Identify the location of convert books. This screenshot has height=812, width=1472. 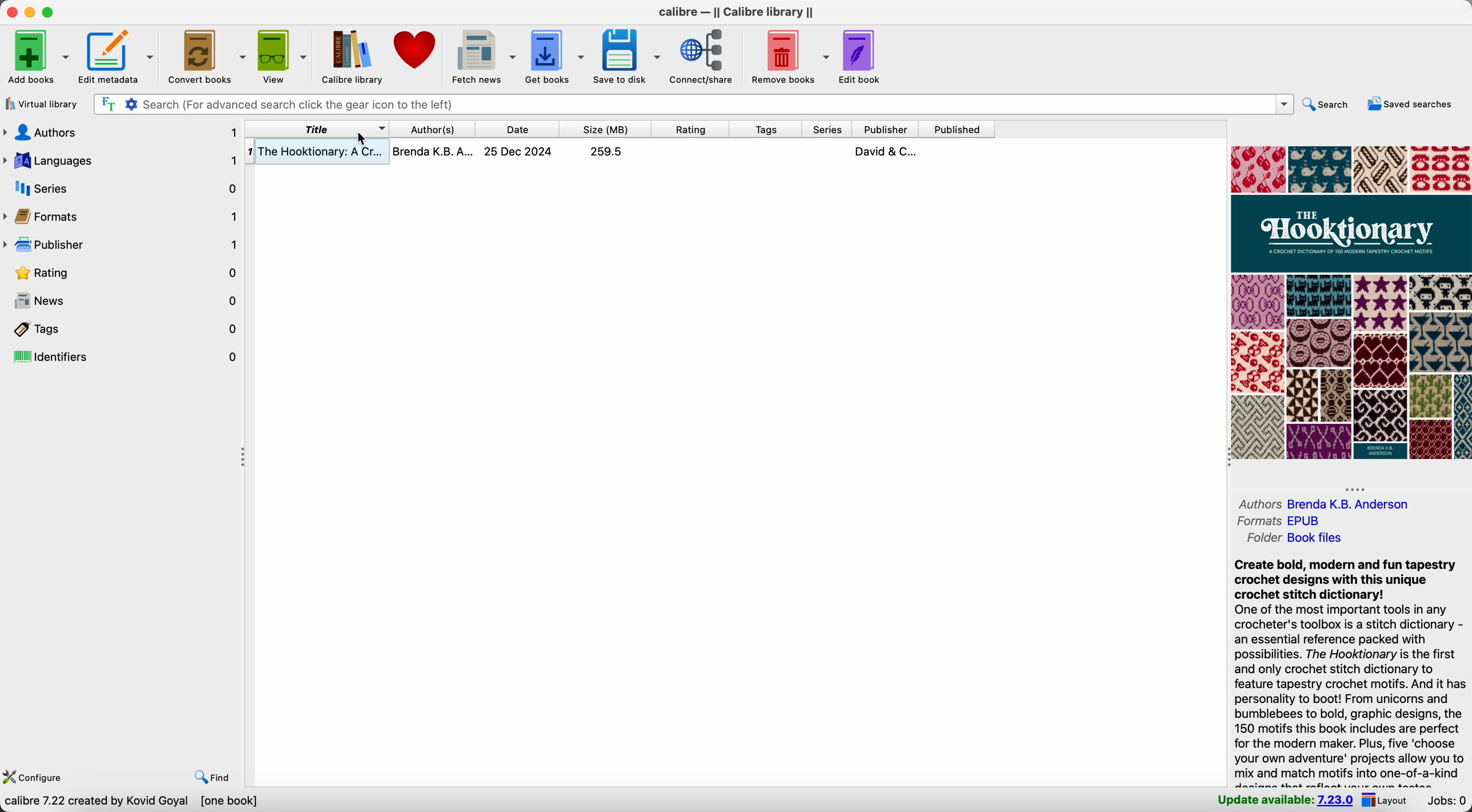
(206, 55).